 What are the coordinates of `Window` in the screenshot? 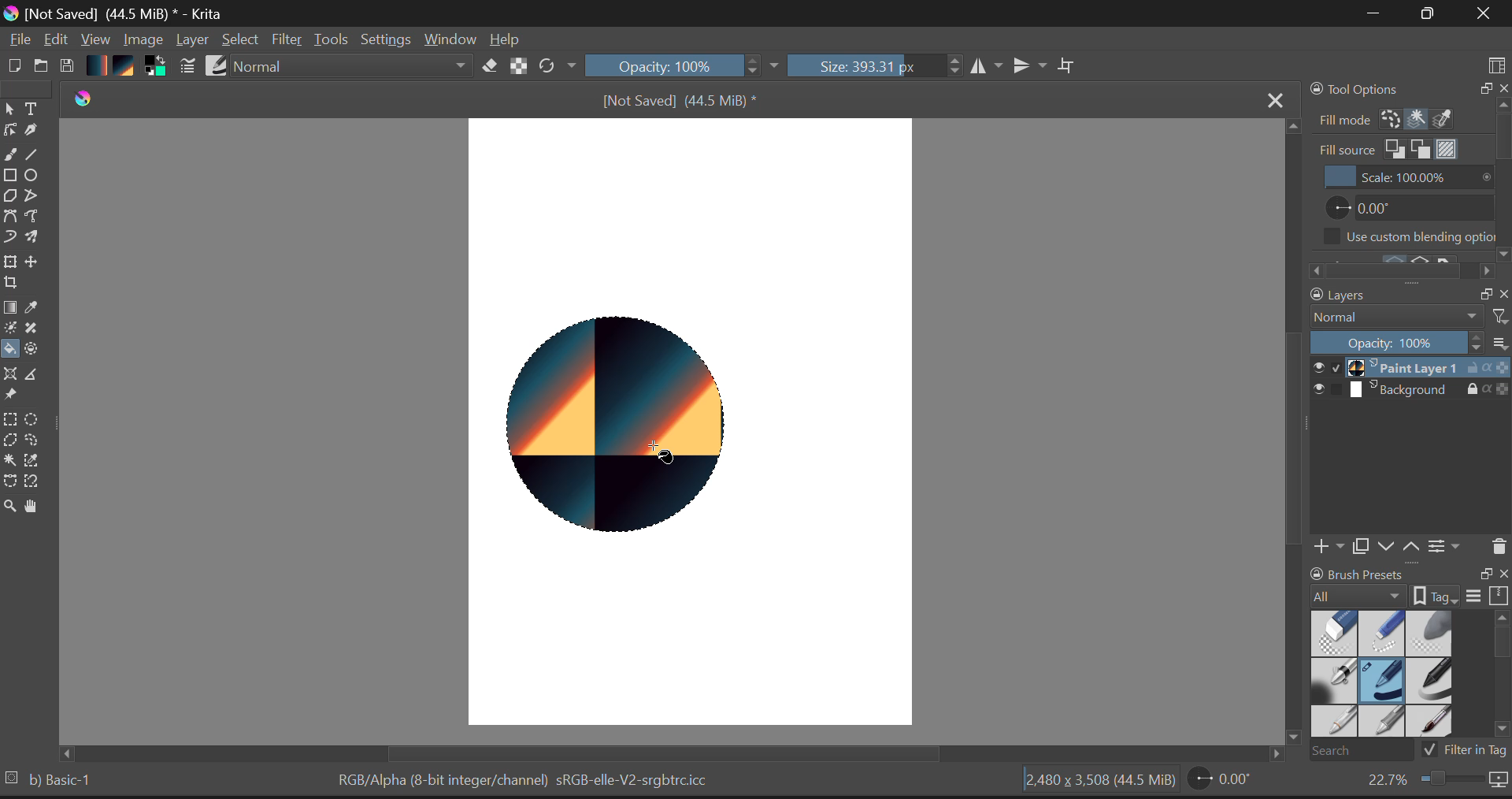 It's located at (449, 39).